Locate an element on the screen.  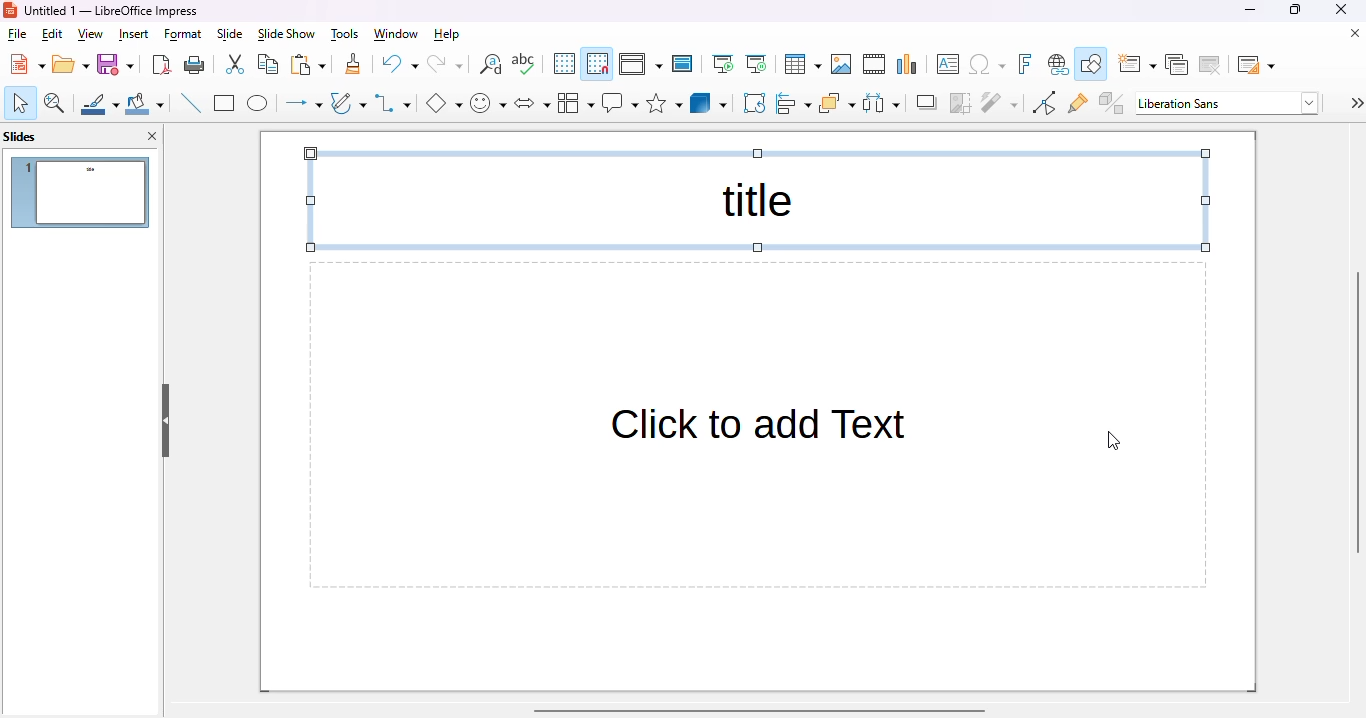
open is located at coordinates (71, 64).